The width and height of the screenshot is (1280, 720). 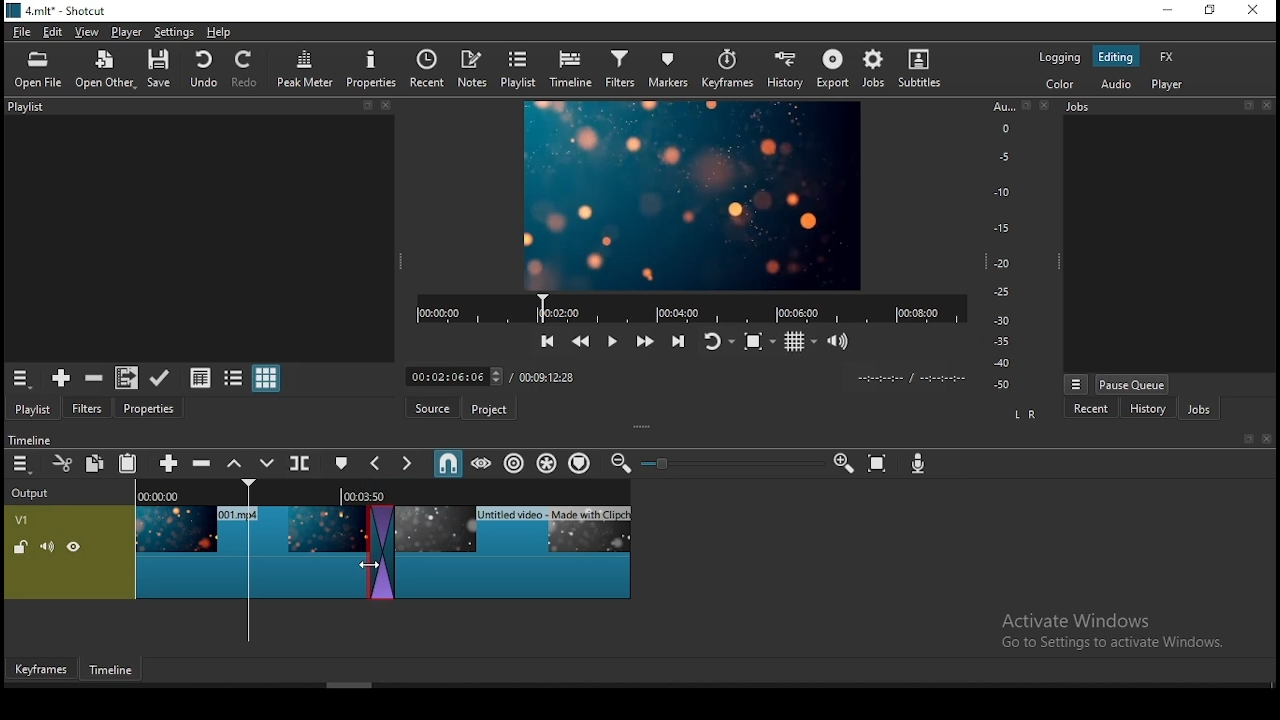 What do you see at coordinates (879, 462) in the screenshot?
I see `zoom timeline to fit` at bounding box center [879, 462].